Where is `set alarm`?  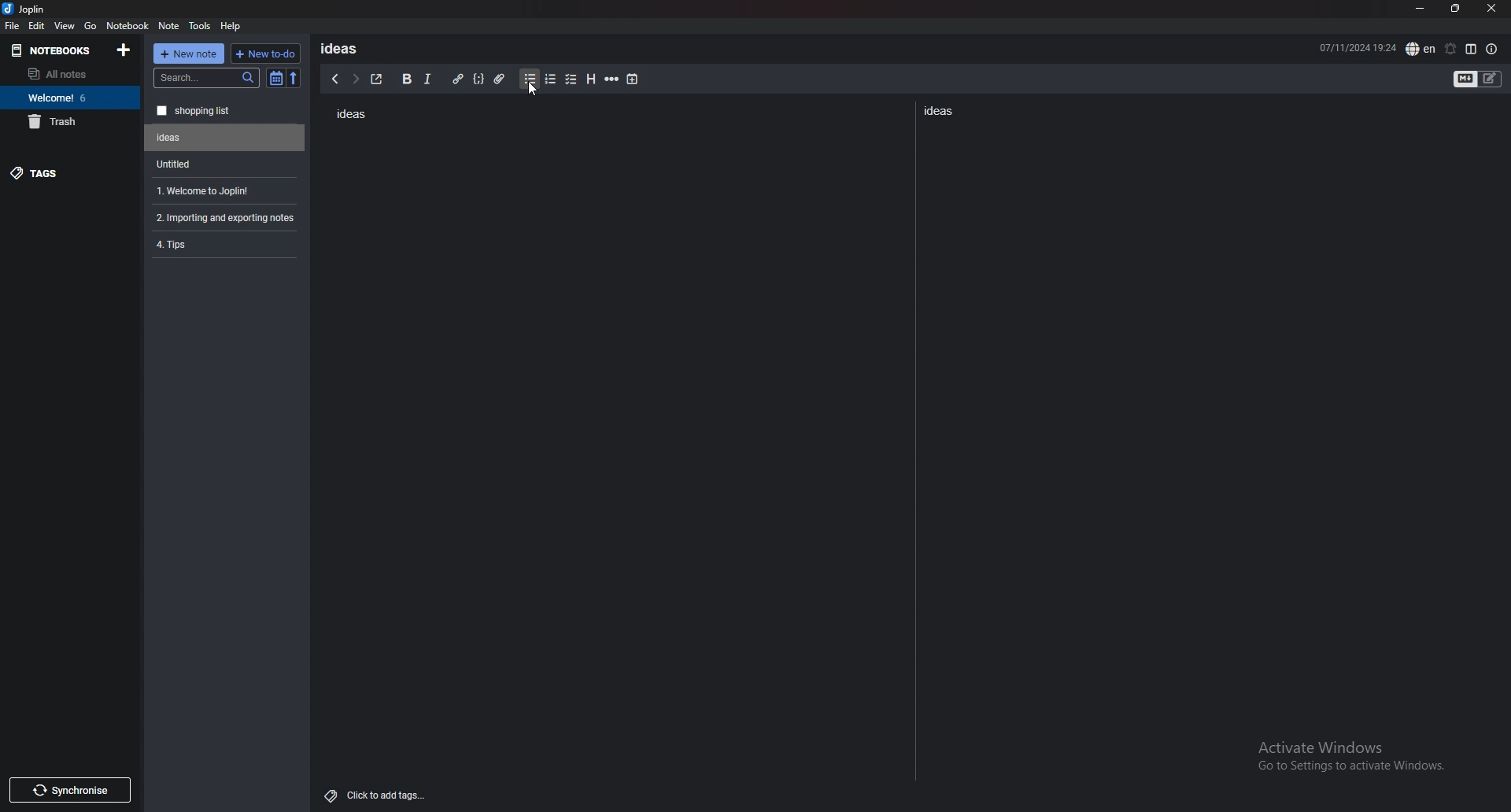
set alarm is located at coordinates (1450, 49).